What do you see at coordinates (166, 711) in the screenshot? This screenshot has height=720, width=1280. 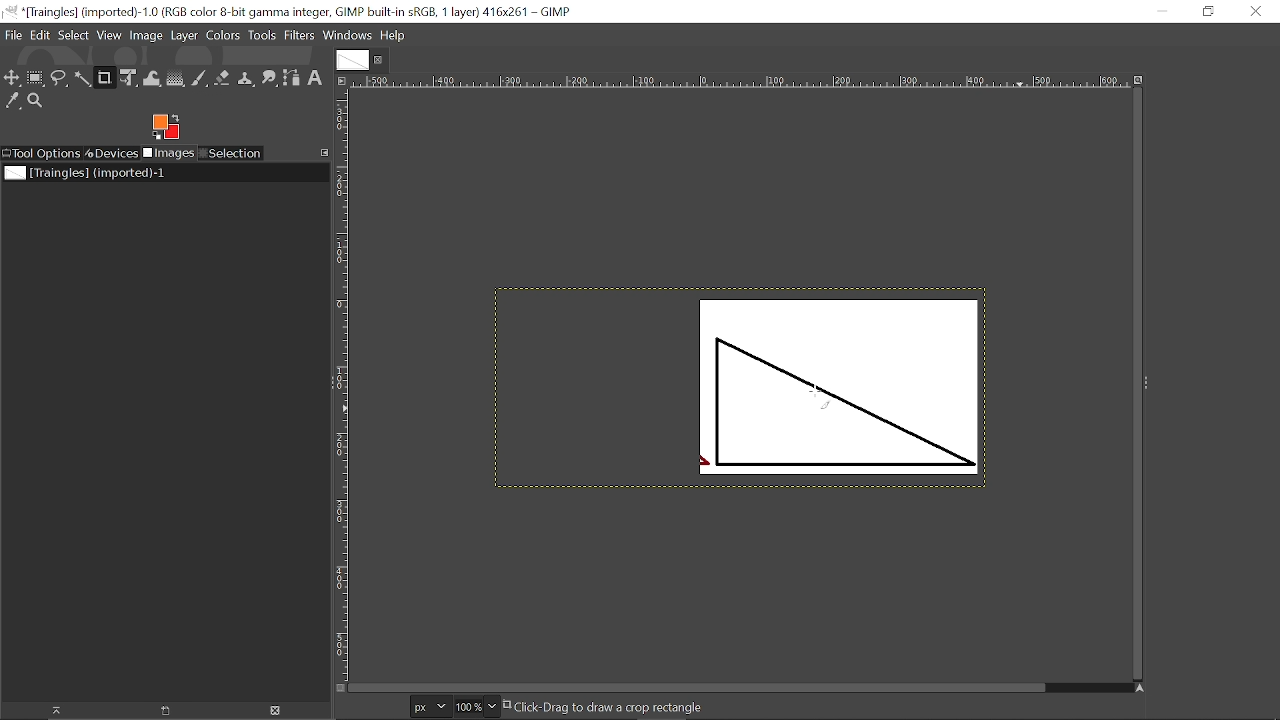 I see `New image display for this image` at bounding box center [166, 711].